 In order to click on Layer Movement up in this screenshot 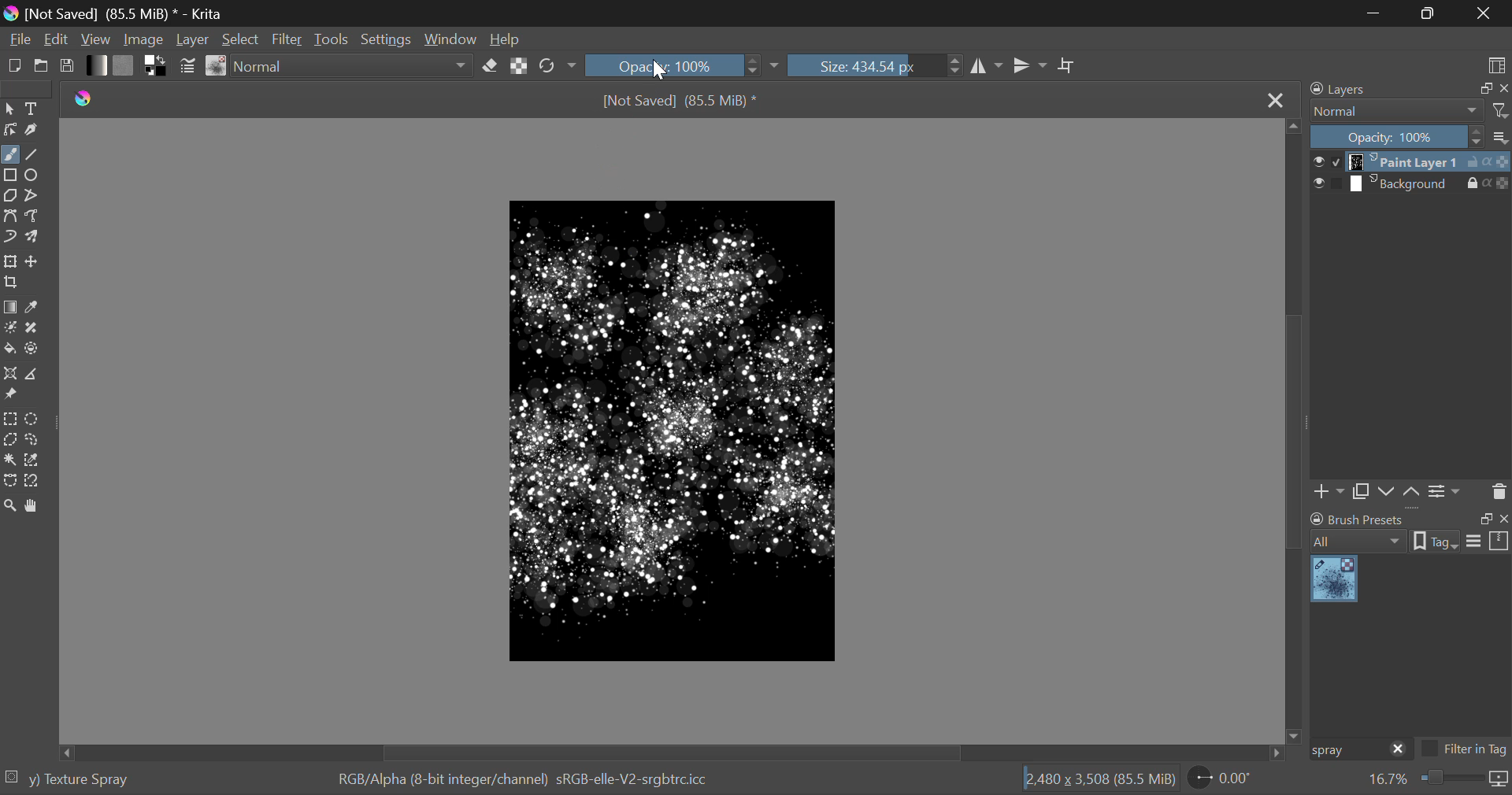, I will do `click(1412, 494)`.